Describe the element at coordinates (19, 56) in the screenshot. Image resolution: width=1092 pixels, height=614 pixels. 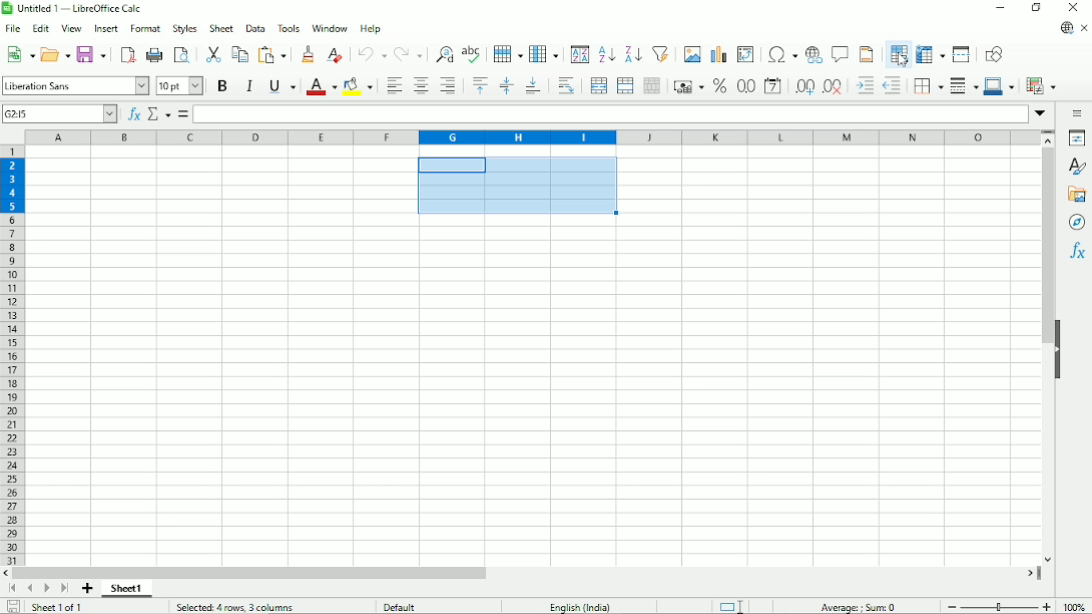
I see `New` at that location.